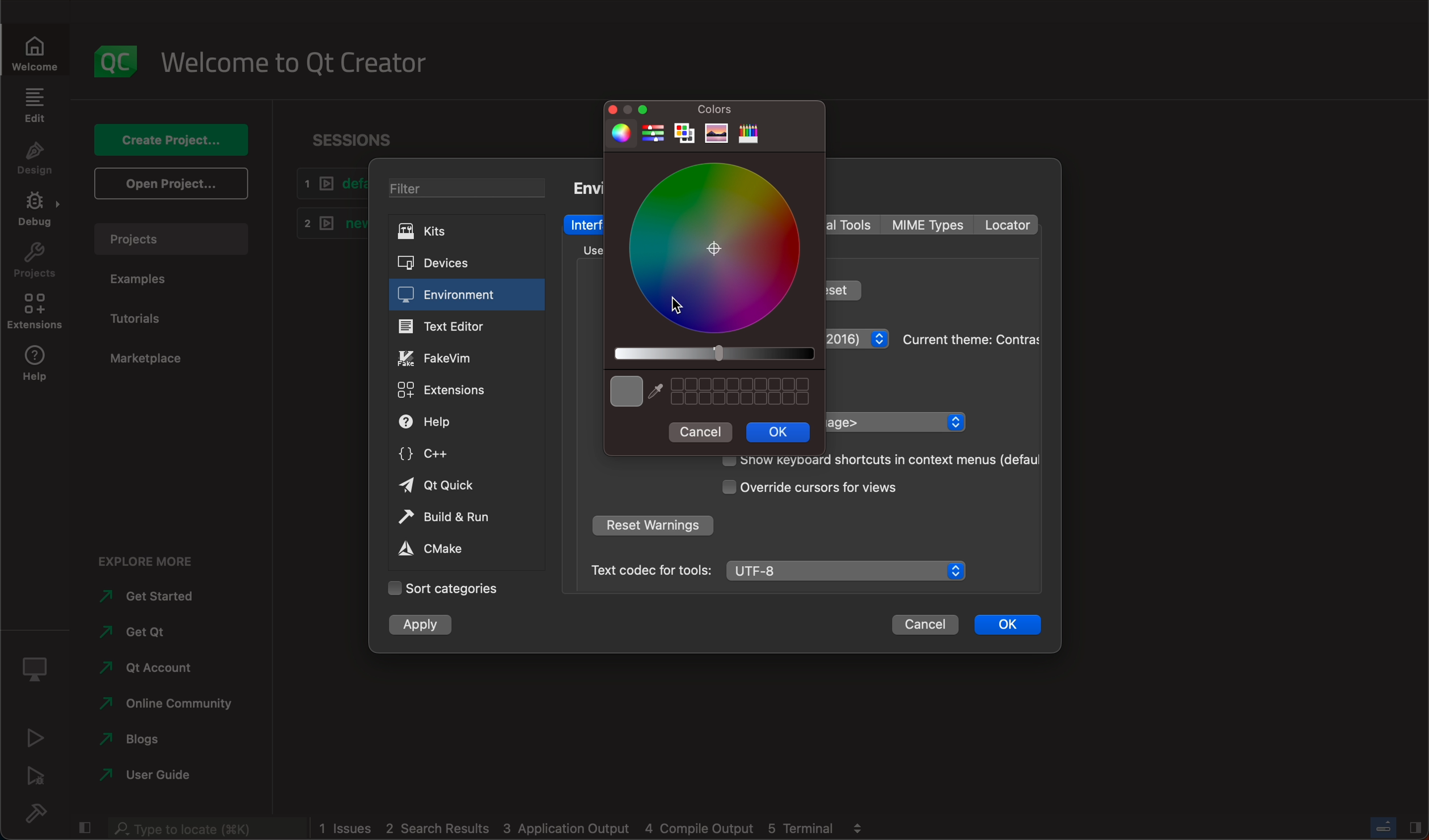  What do you see at coordinates (929, 225) in the screenshot?
I see `MIME` at bounding box center [929, 225].